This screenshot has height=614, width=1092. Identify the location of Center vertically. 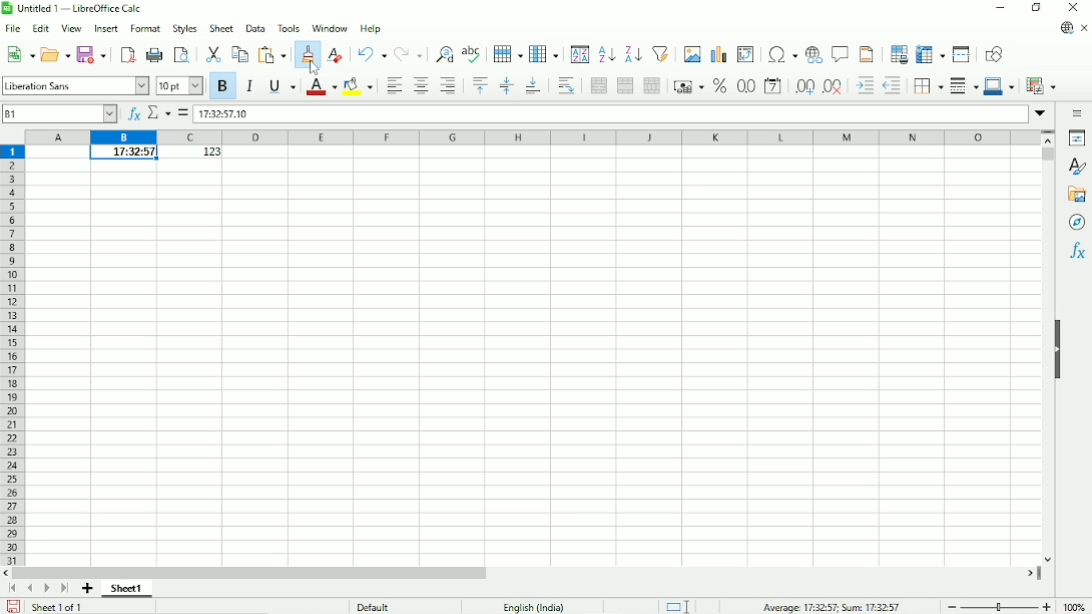
(505, 86).